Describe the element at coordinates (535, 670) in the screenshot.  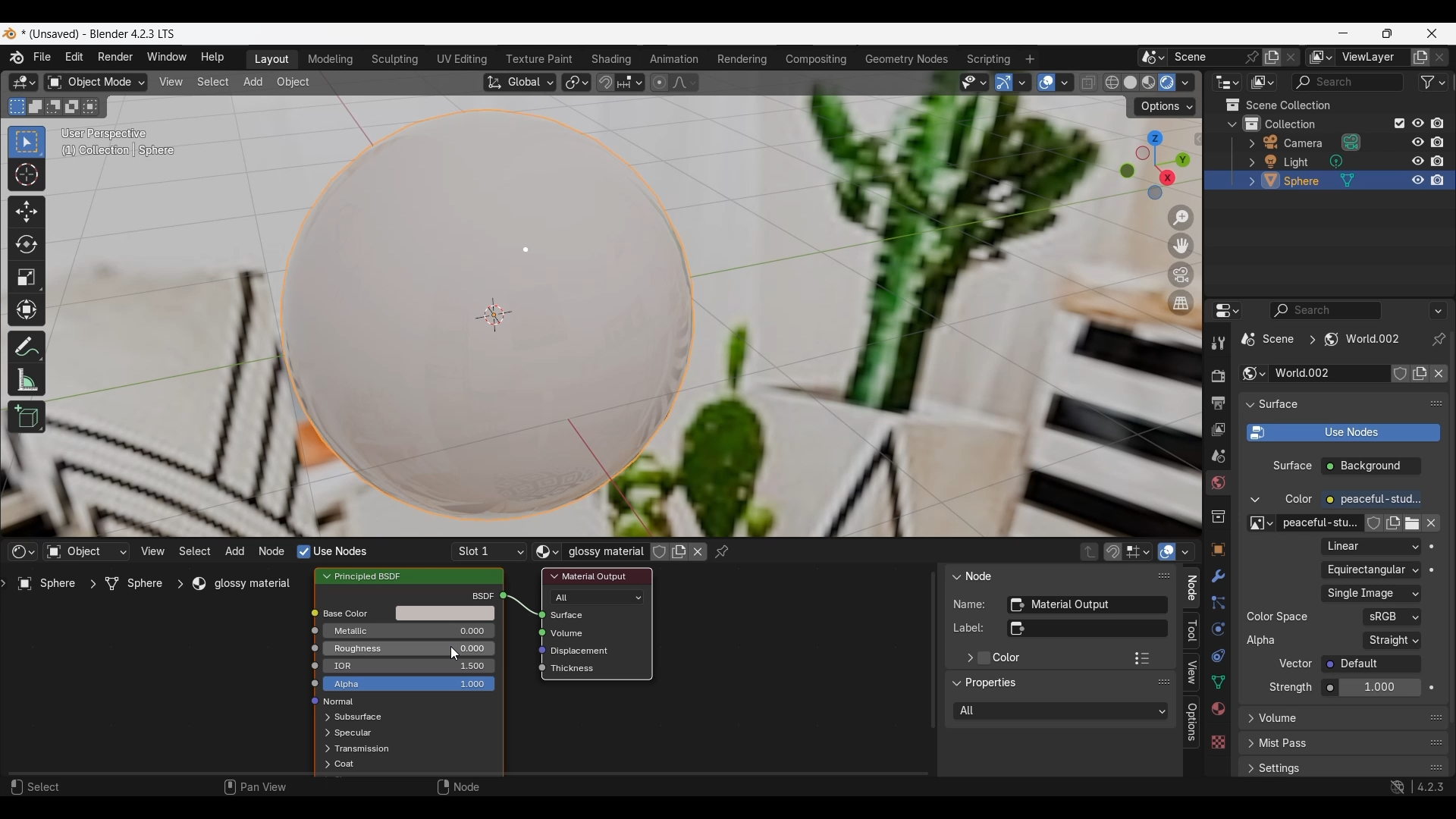
I see `icon` at that location.